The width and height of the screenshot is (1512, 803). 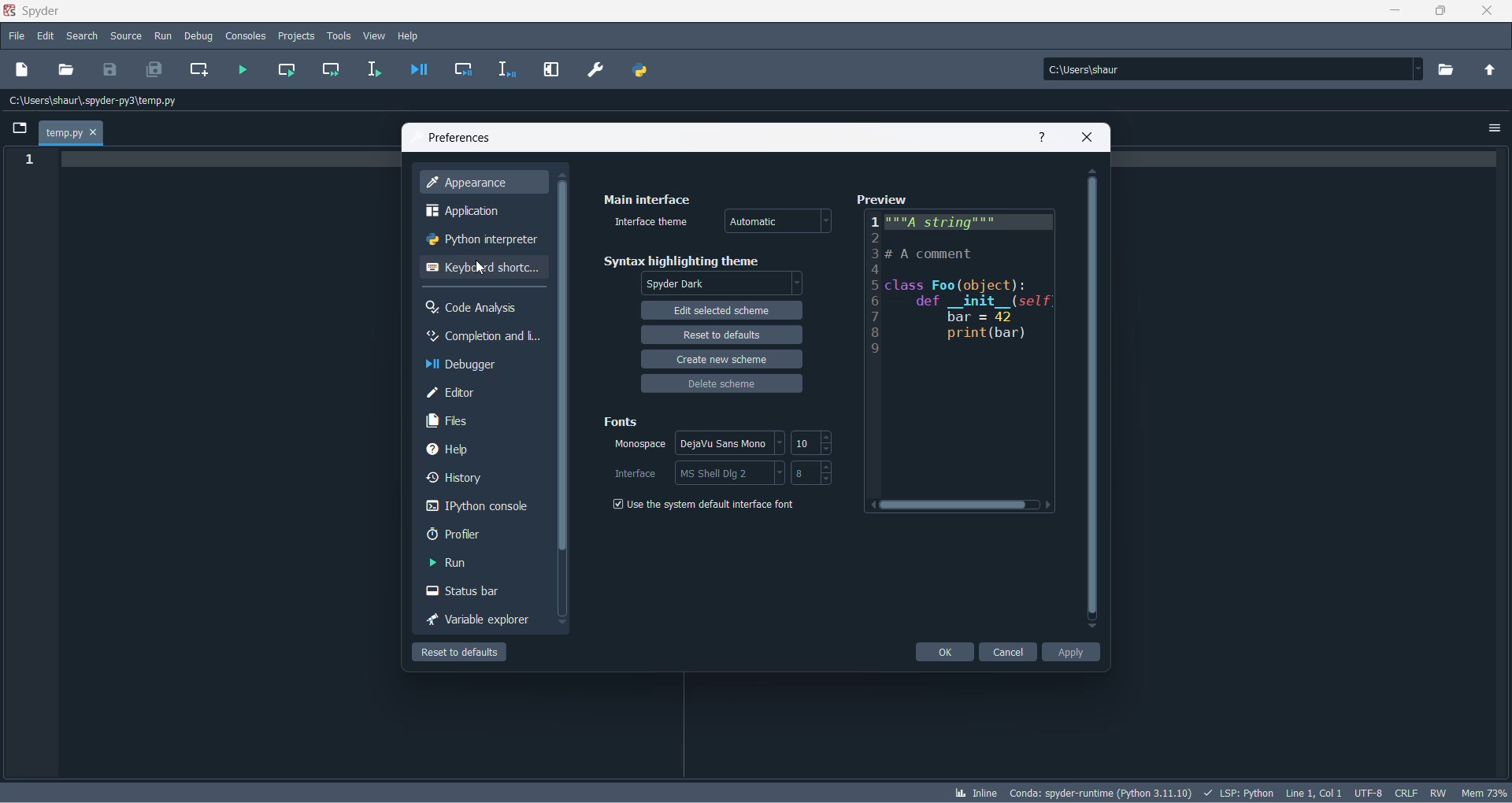 I want to click on file control, so click(x=1436, y=792).